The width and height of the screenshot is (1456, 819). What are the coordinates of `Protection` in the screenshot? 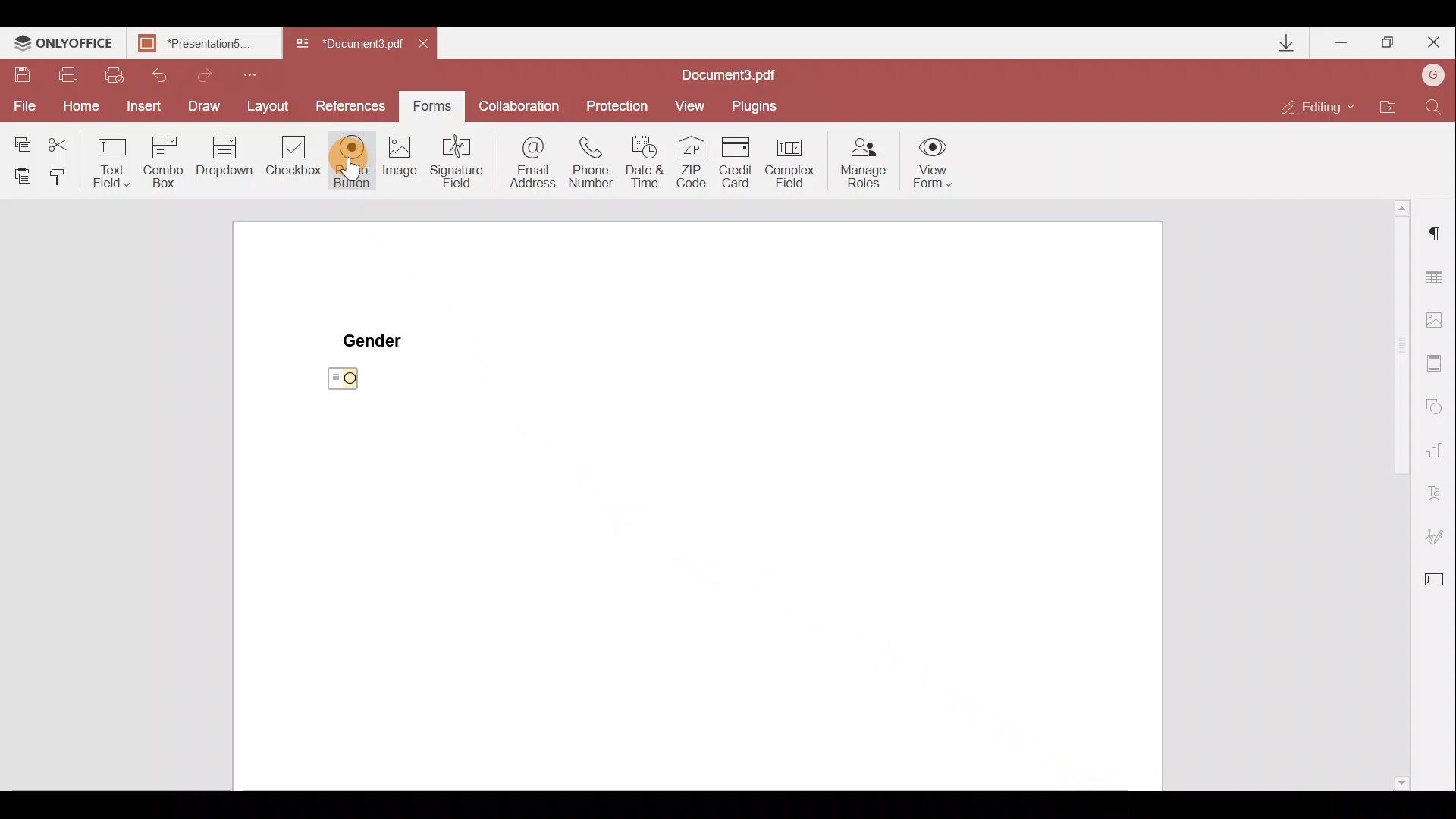 It's located at (619, 102).